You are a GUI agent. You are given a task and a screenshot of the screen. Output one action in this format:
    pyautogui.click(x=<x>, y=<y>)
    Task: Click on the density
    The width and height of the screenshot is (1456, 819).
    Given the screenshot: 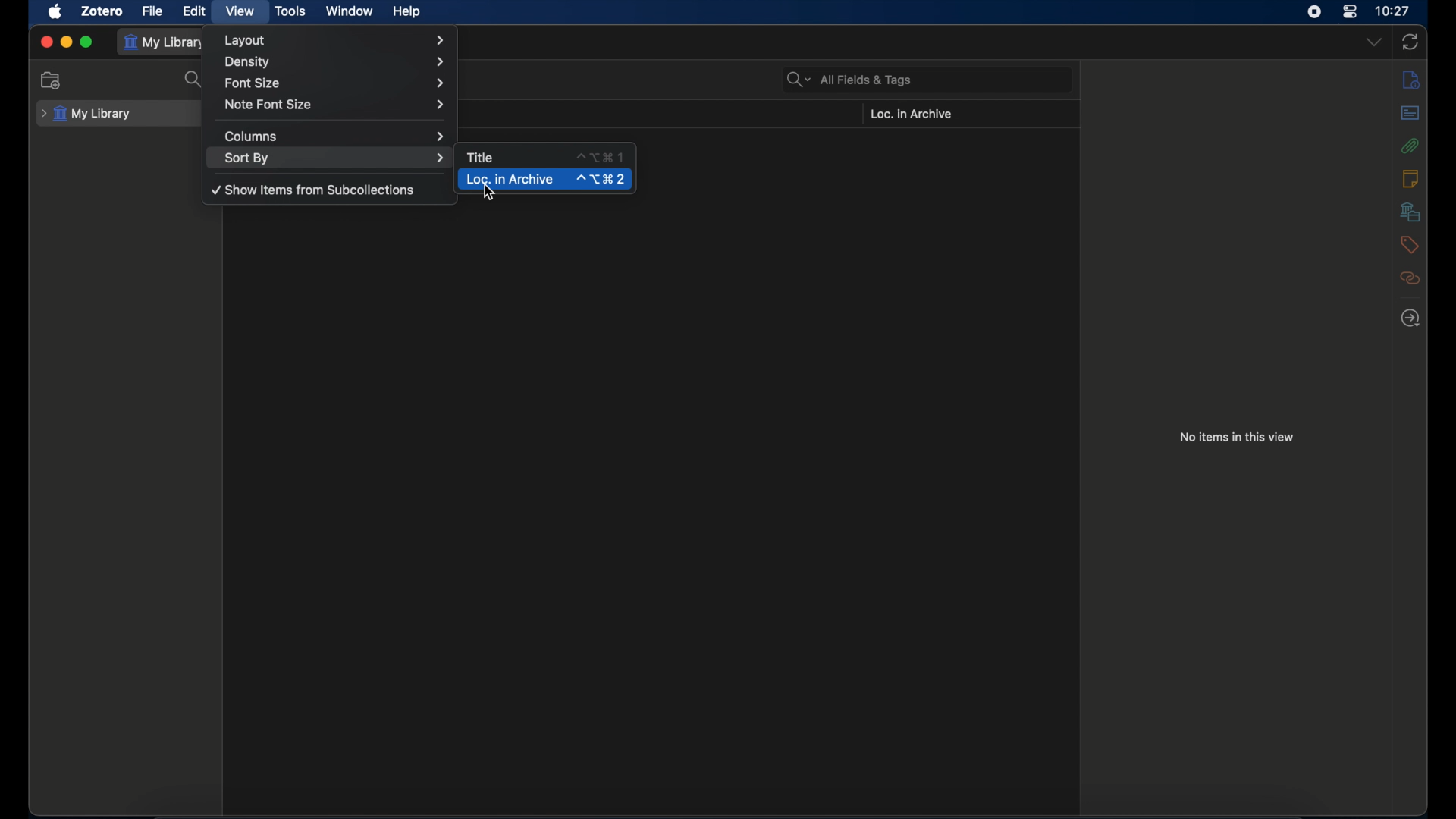 What is the action you would take?
    pyautogui.click(x=334, y=61)
    